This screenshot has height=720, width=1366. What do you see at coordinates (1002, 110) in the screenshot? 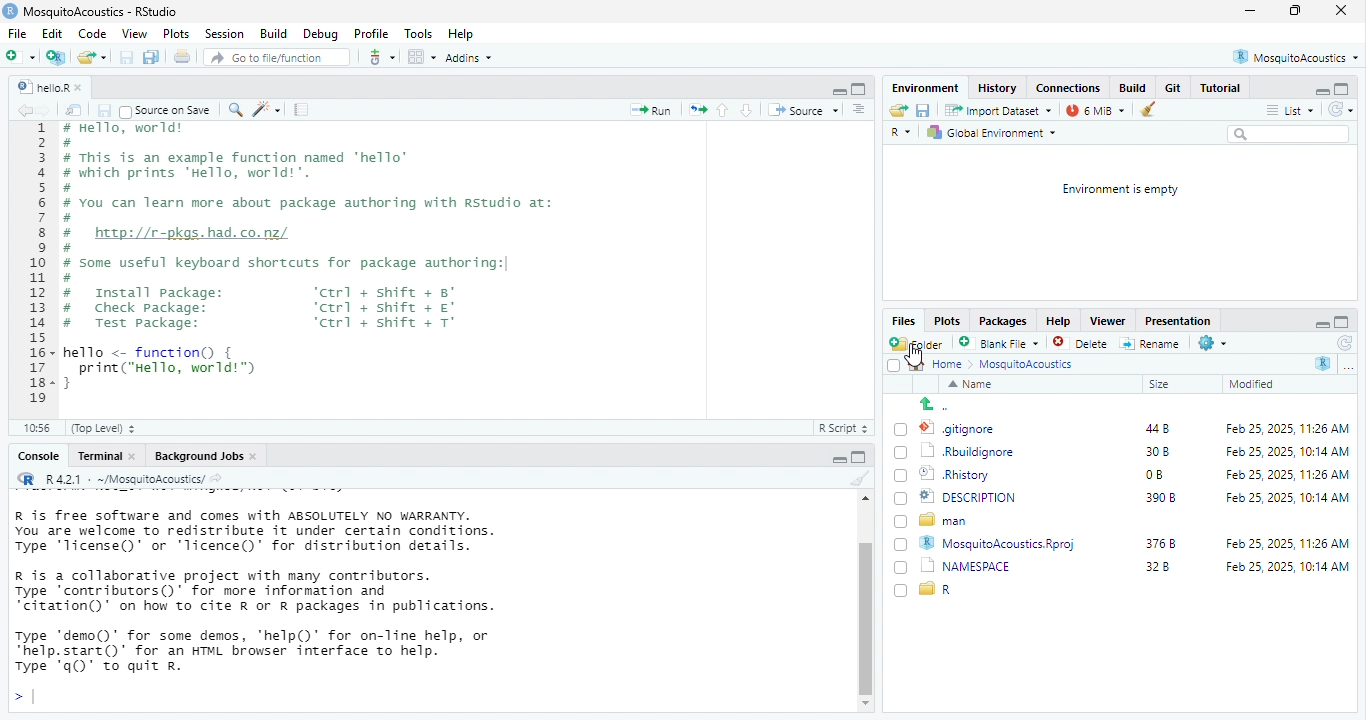
I see `import Dataset ~` at bounding box center [1002, 110].